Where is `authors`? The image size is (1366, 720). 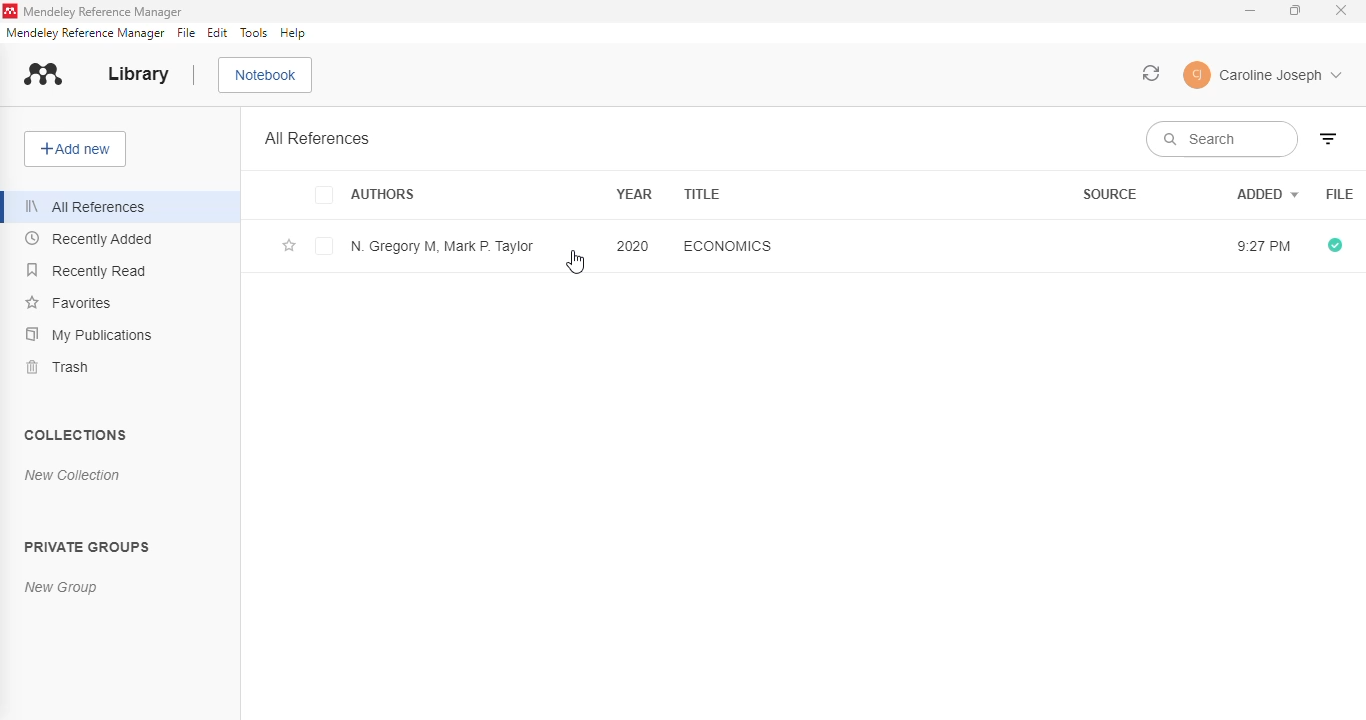 authors is located at coordinates (363, 194).